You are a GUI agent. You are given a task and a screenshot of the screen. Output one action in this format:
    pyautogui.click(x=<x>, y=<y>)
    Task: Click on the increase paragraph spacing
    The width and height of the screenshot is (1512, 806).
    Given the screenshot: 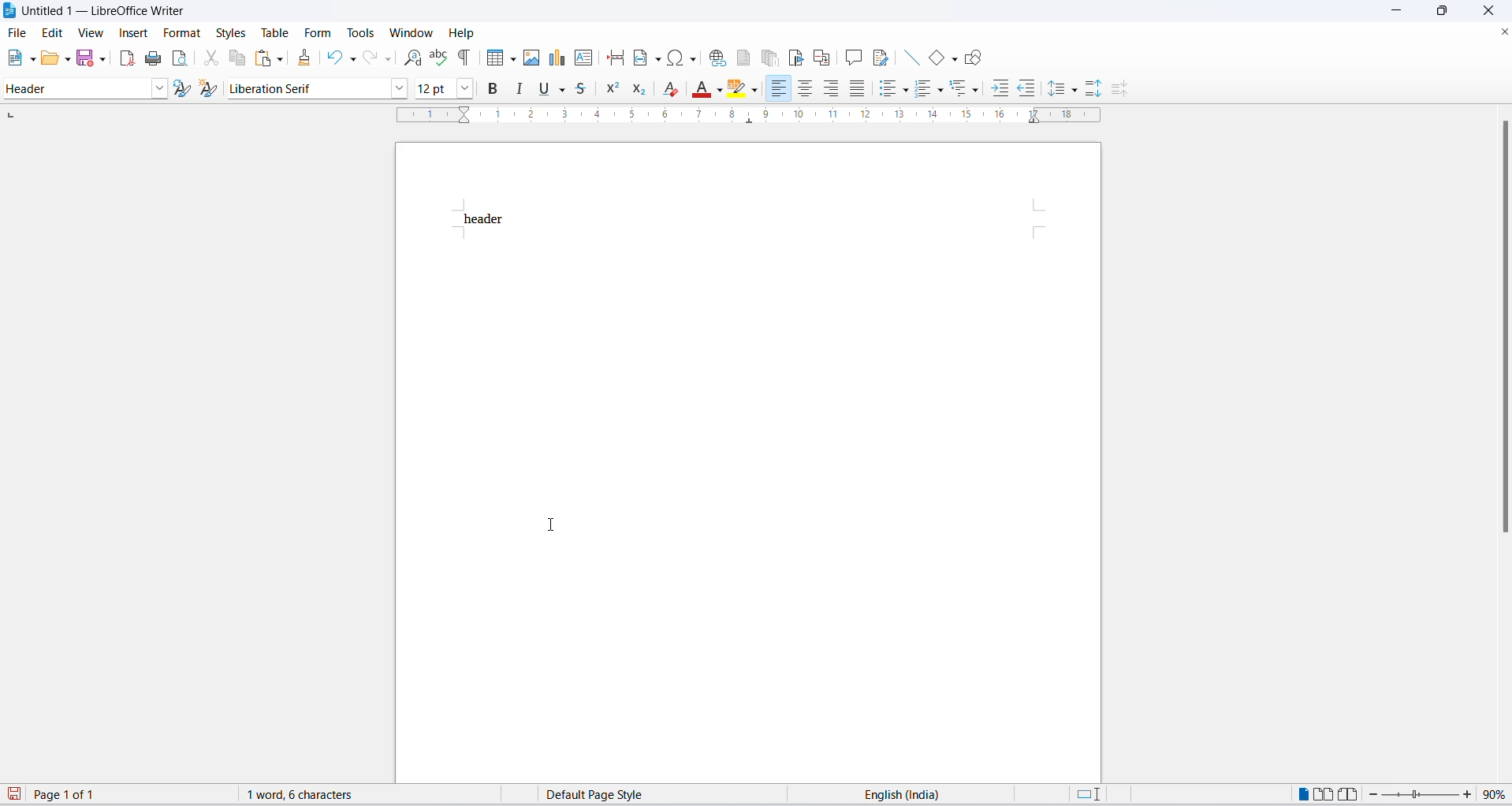 What is the action you would take?
    pyautogui.click(x=1093, y=88)
    